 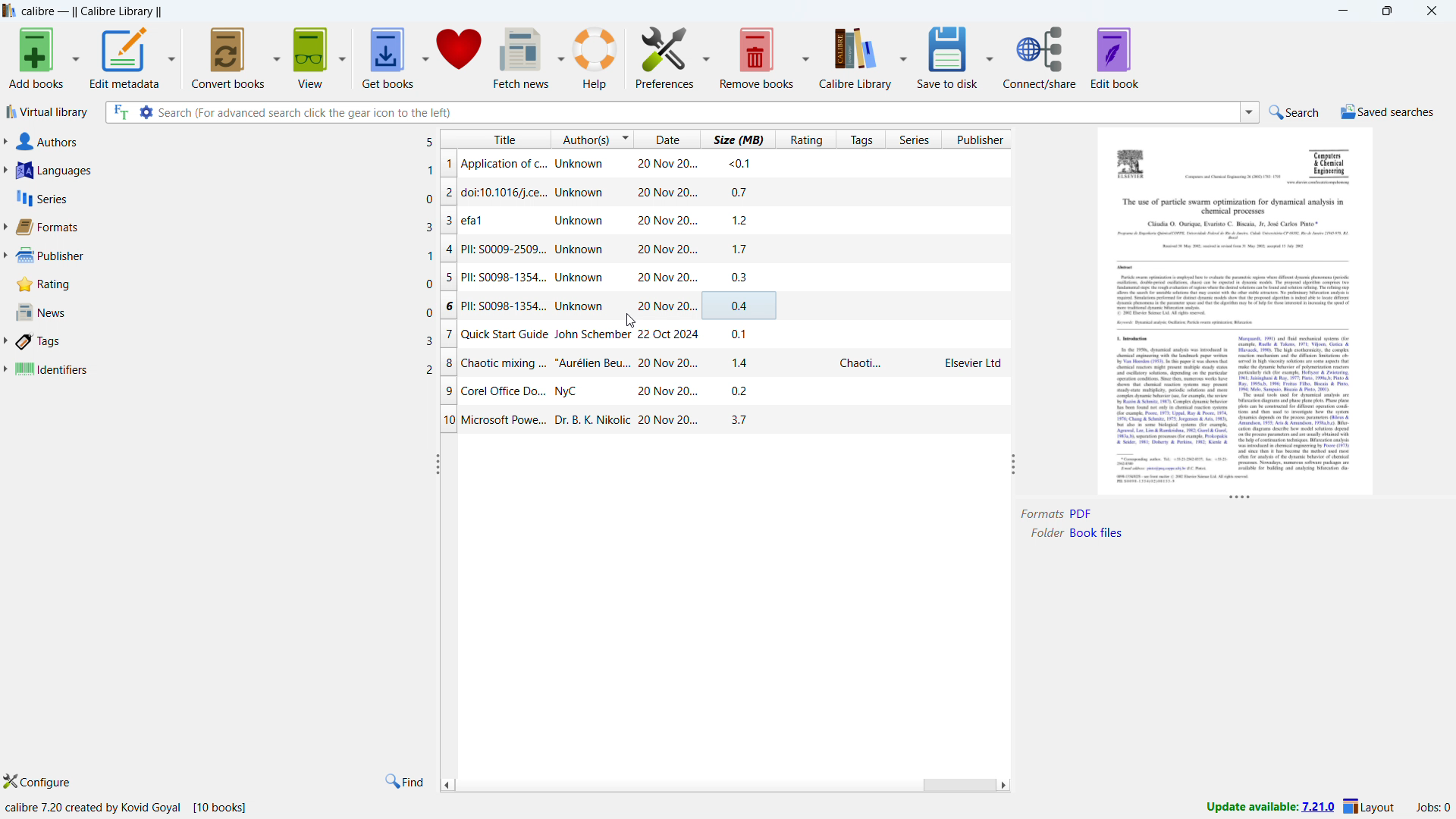 I want to click on search history, so click(x=1250, y=111).